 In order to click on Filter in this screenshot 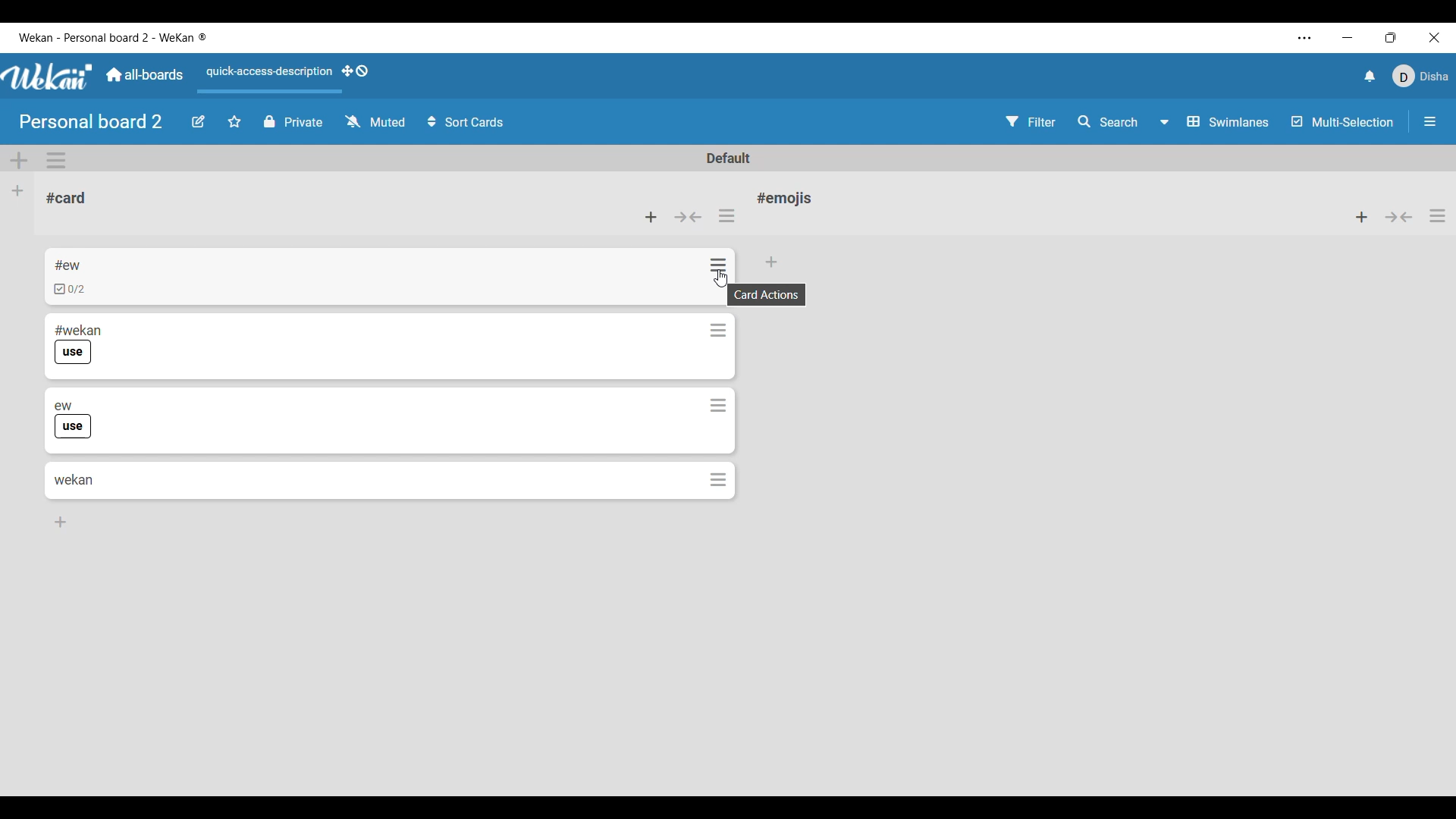, I will do `click(1031, 121)`.